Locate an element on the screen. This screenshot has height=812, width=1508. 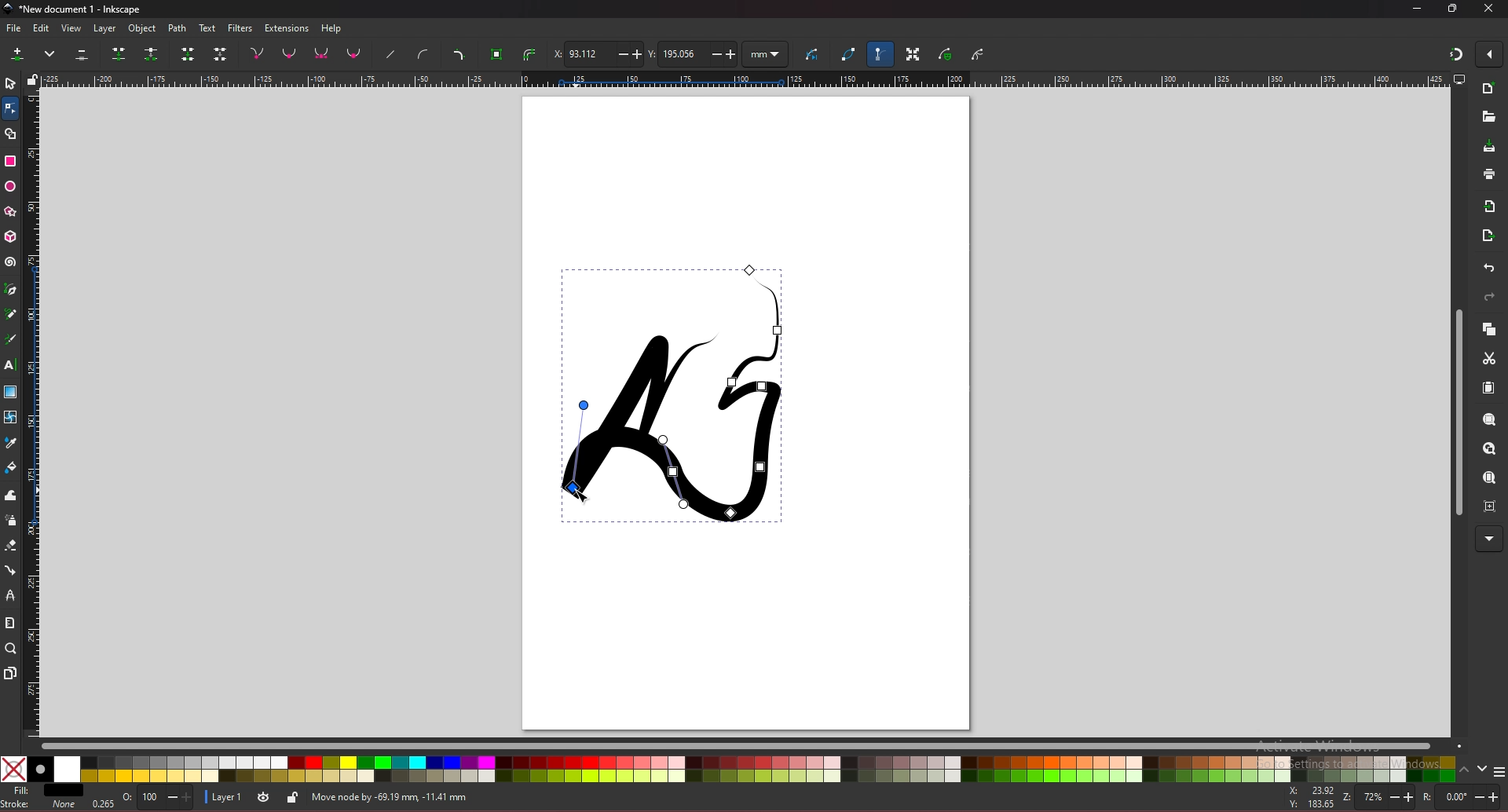
delete selected node is located at coordinates (82, 53).